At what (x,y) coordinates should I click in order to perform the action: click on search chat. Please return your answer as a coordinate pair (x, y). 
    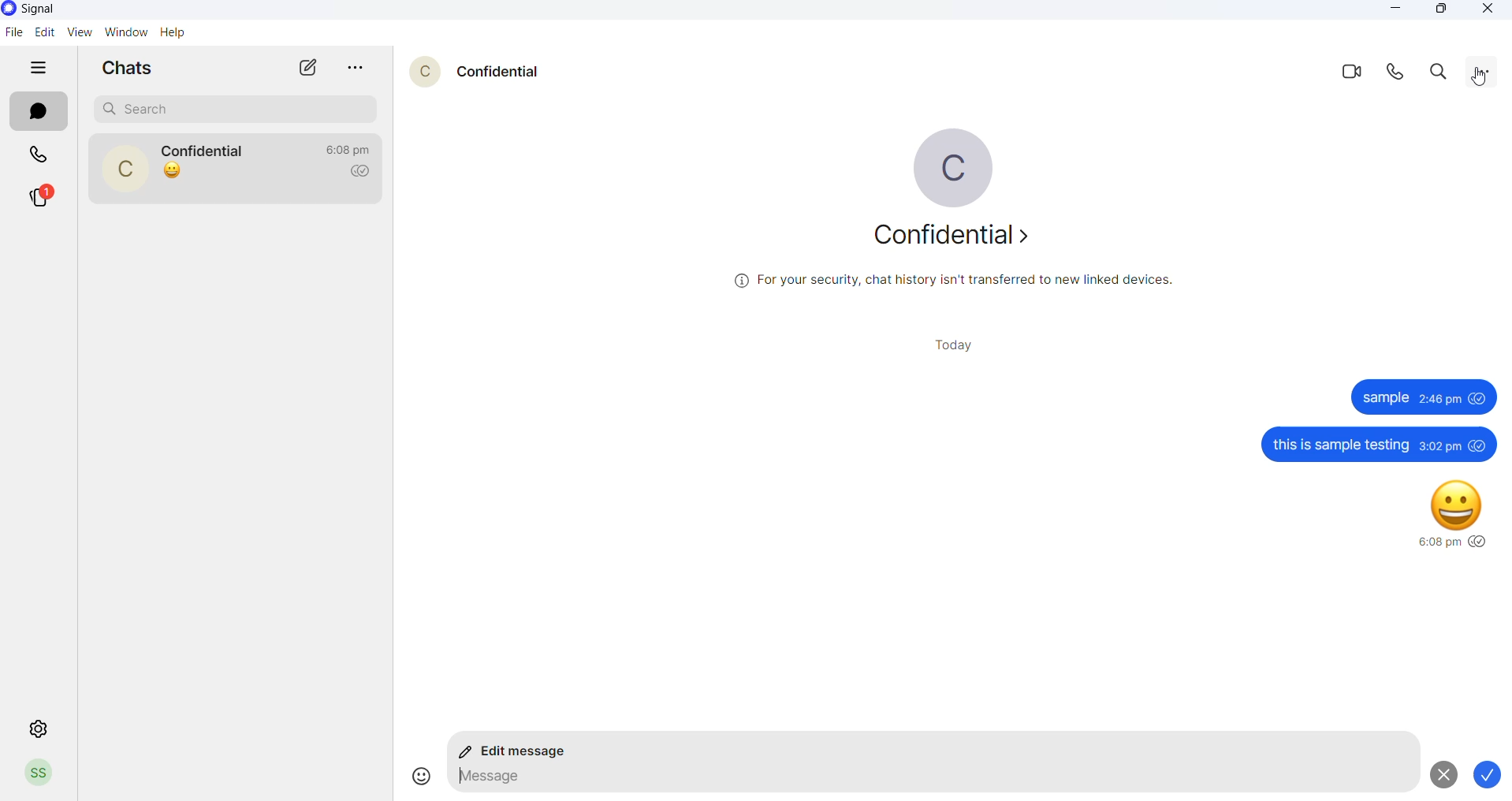
    Looking at the image, I should click on (235, 108).